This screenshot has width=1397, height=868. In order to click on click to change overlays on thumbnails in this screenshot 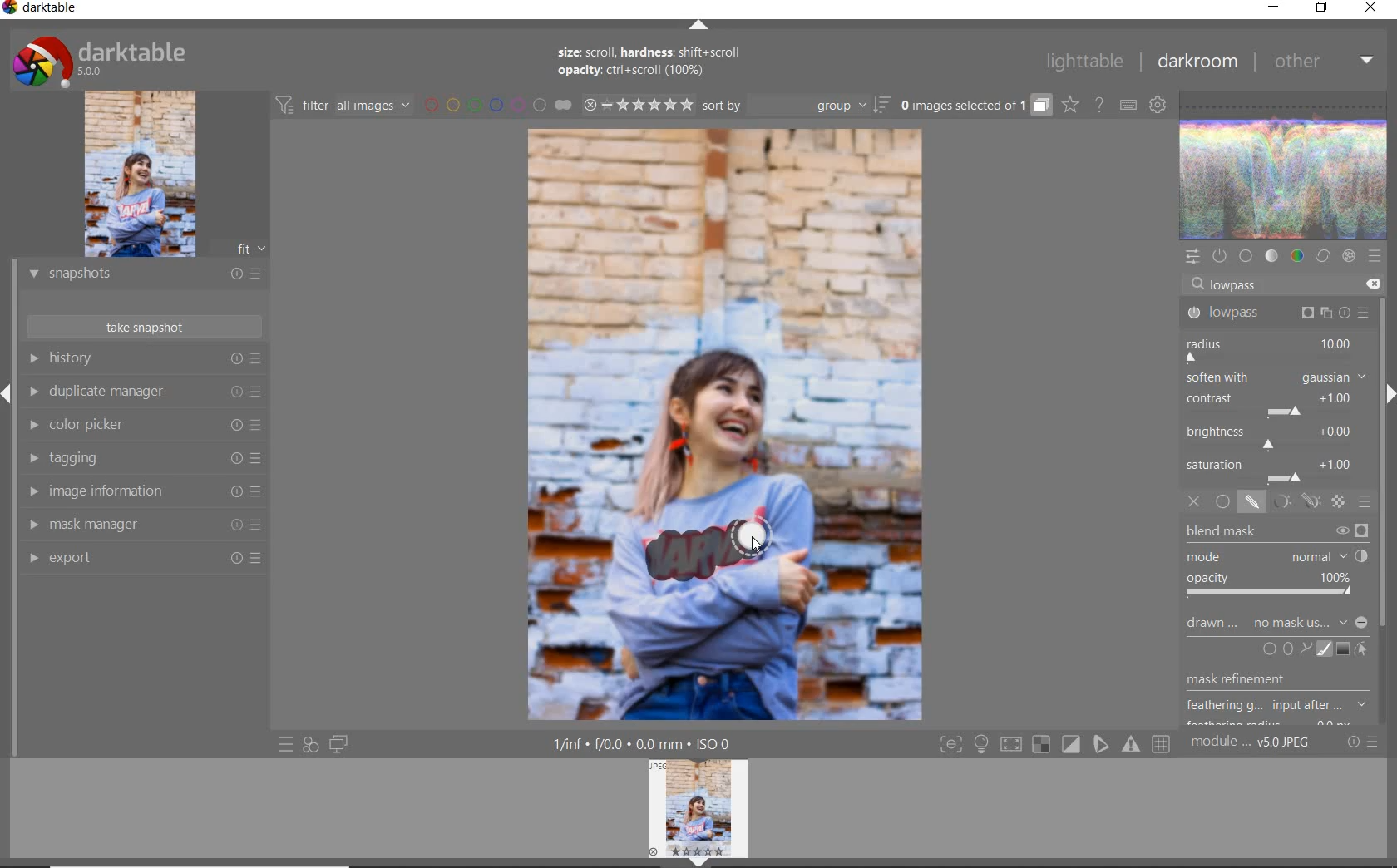, I will do `click(1069, 104)`.